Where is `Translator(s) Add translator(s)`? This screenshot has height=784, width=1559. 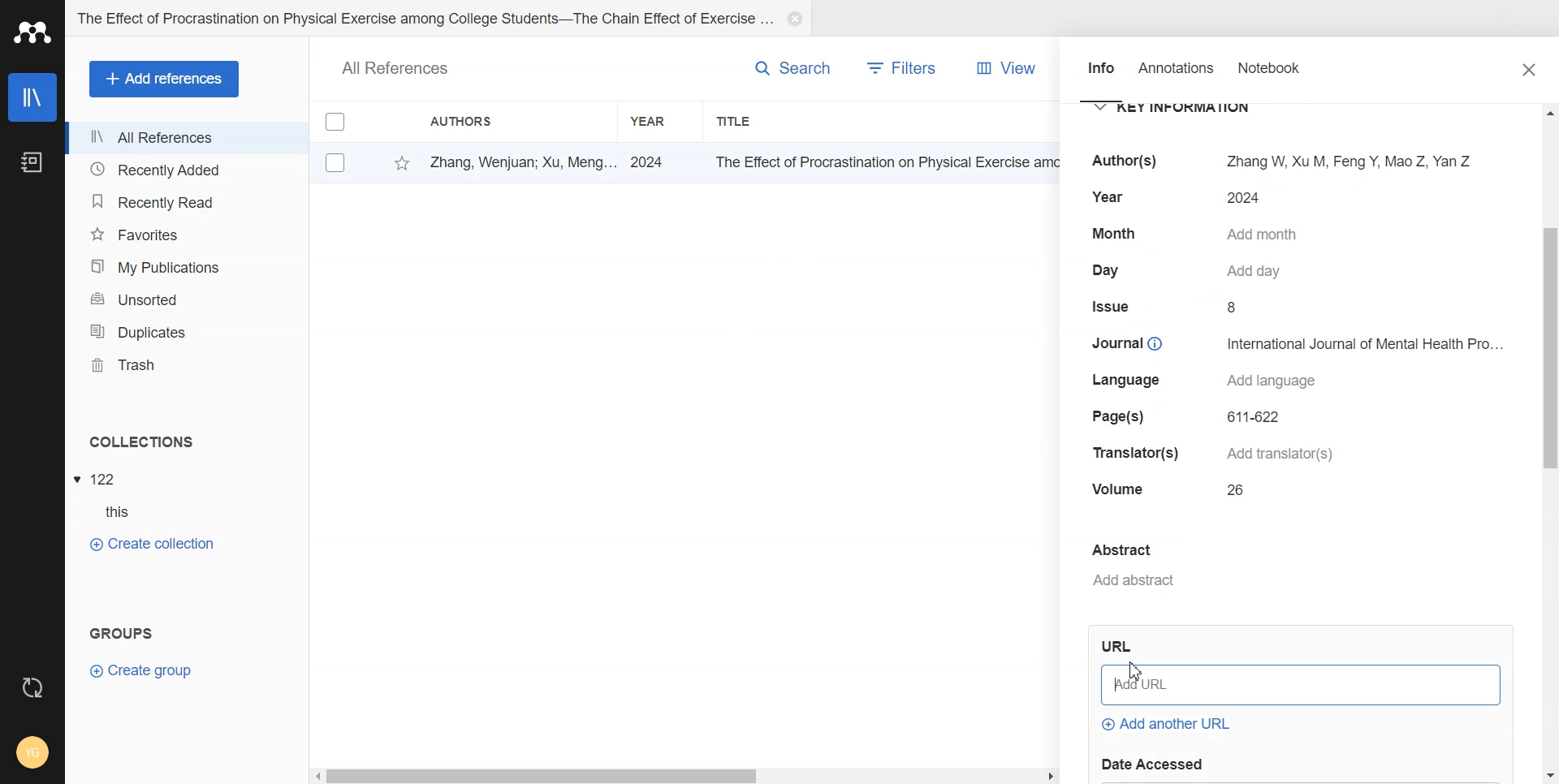
Translator(s) Add translator(s) is located at coordinates (1214, 454).